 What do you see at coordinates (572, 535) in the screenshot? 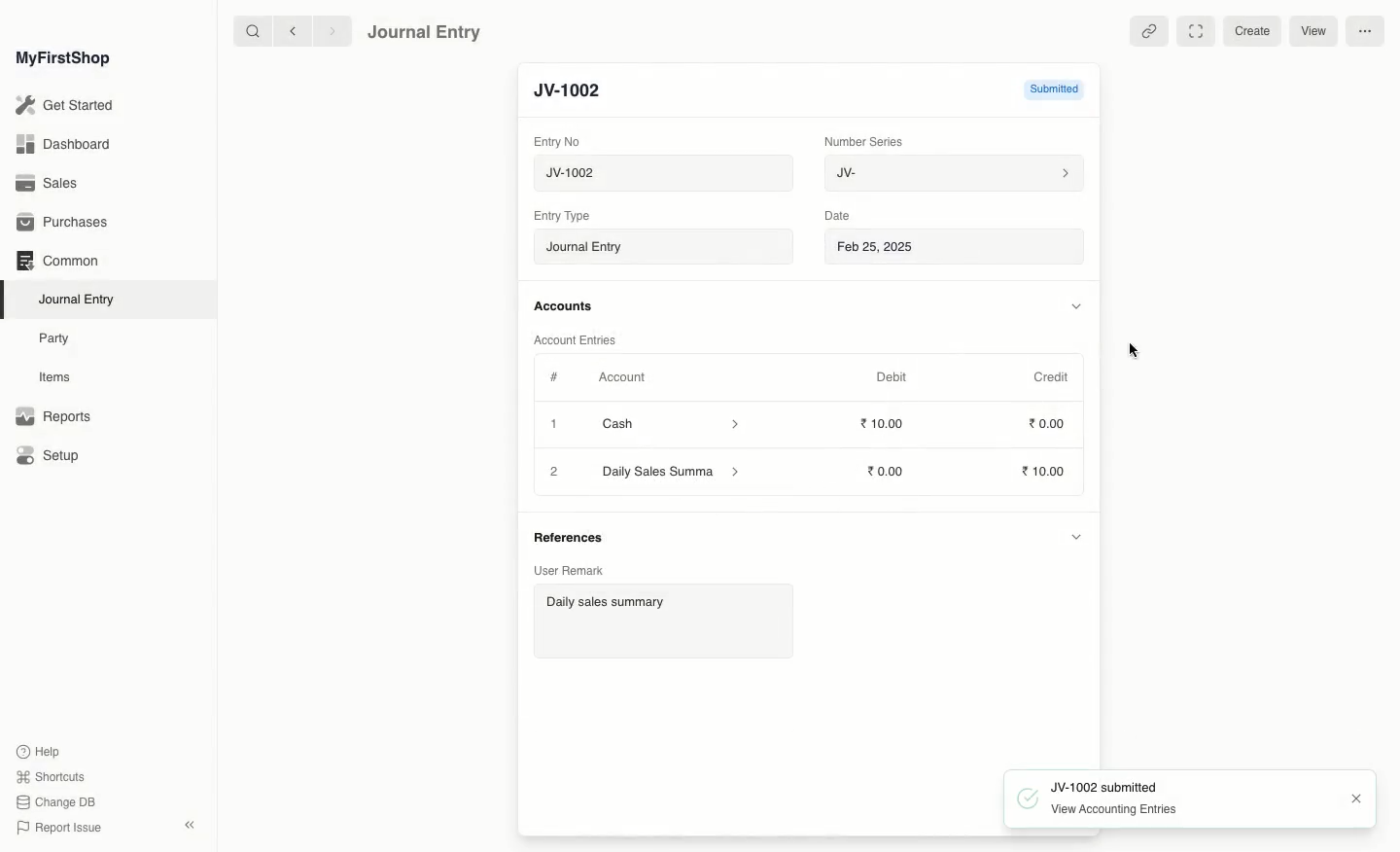
I see `References` at bounding box center [572, 535].